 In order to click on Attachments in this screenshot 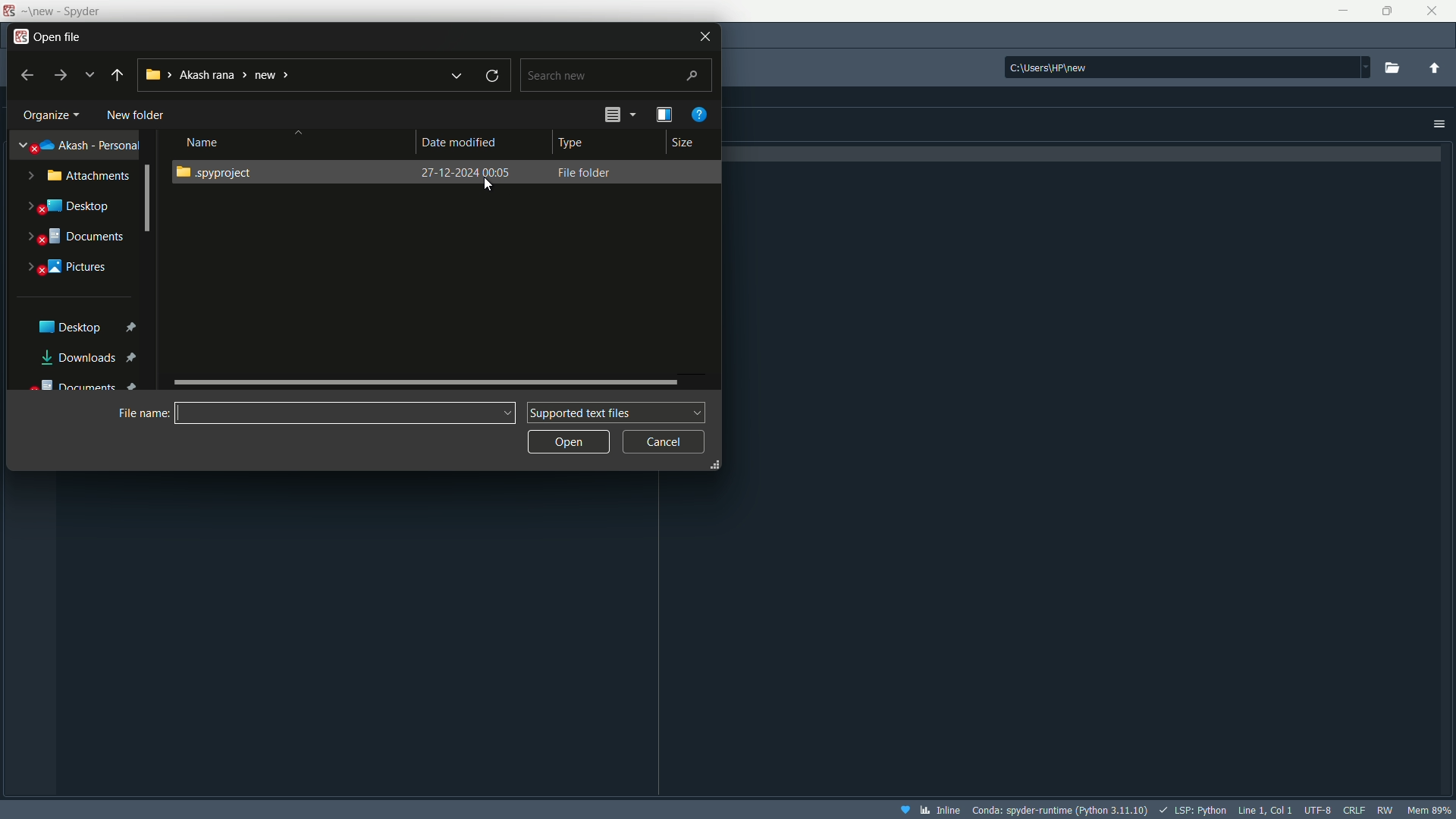, I will do `click(88, 177)`.